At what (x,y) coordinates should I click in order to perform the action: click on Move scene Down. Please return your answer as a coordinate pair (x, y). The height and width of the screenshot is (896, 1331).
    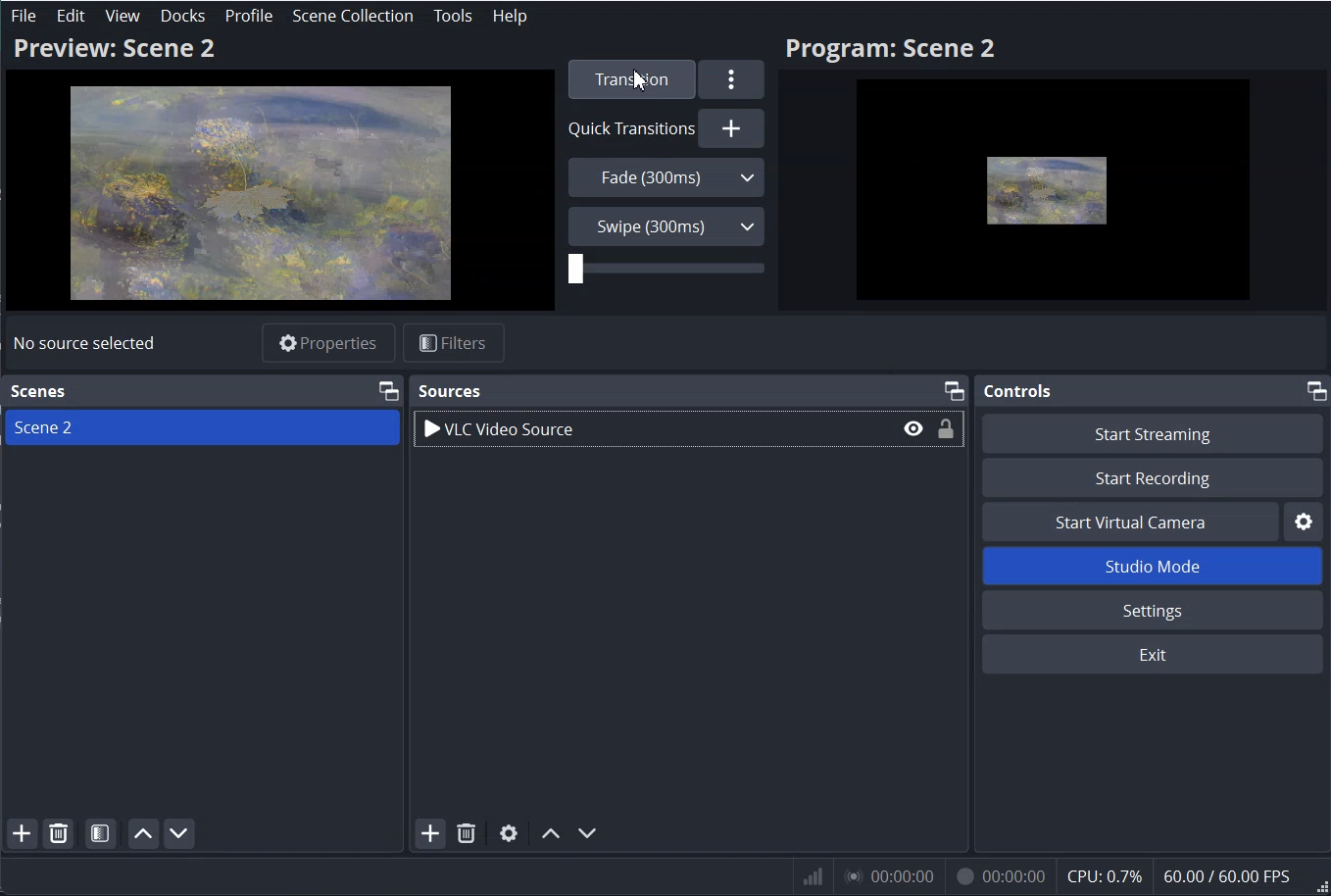
    Looking at the image, I should click on (179, 832).